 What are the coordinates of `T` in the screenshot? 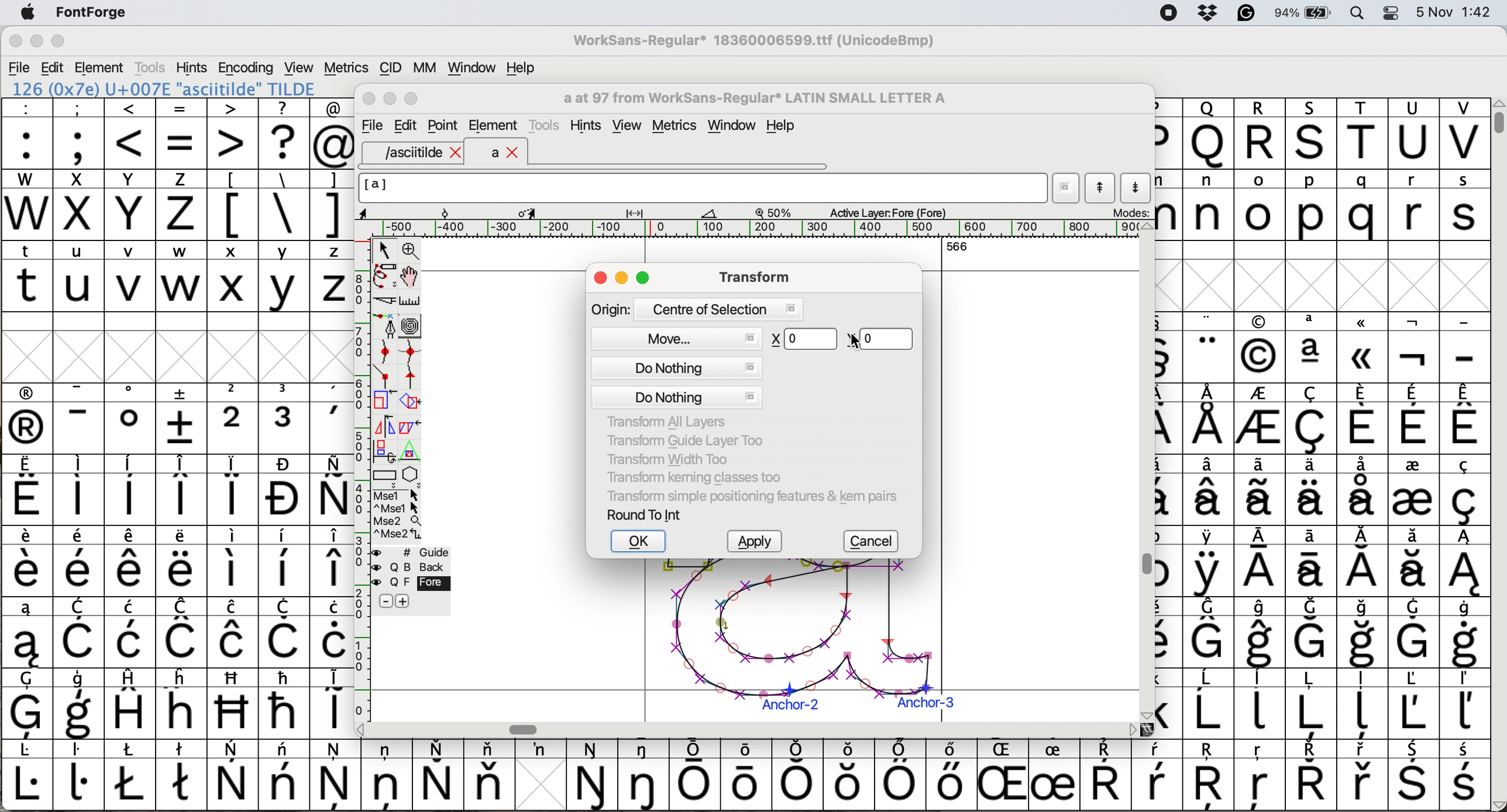 It's located at (1365, 135).